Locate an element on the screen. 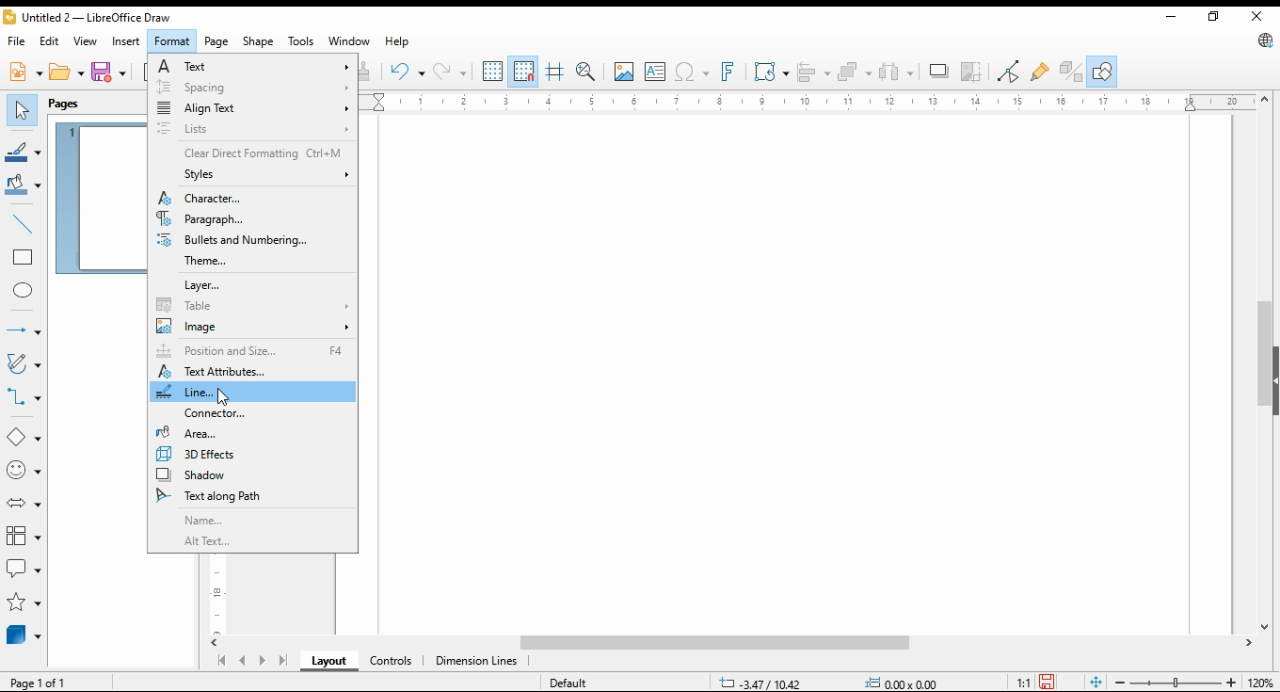 This screenshot has height=692, width=1280. alt text is located at coordinates (252, 541).